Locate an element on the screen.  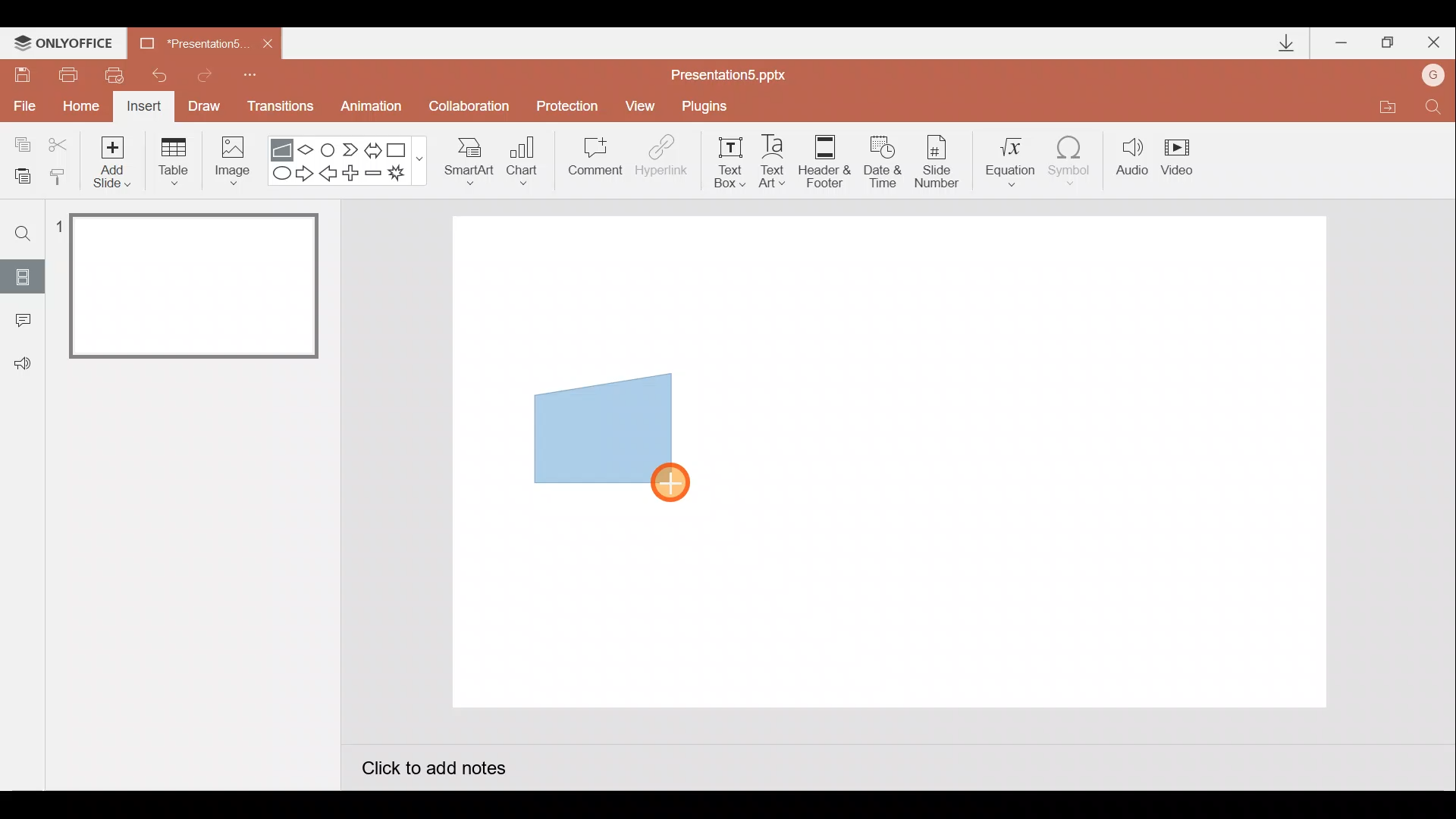
Close is located at coordinates (268, 44).